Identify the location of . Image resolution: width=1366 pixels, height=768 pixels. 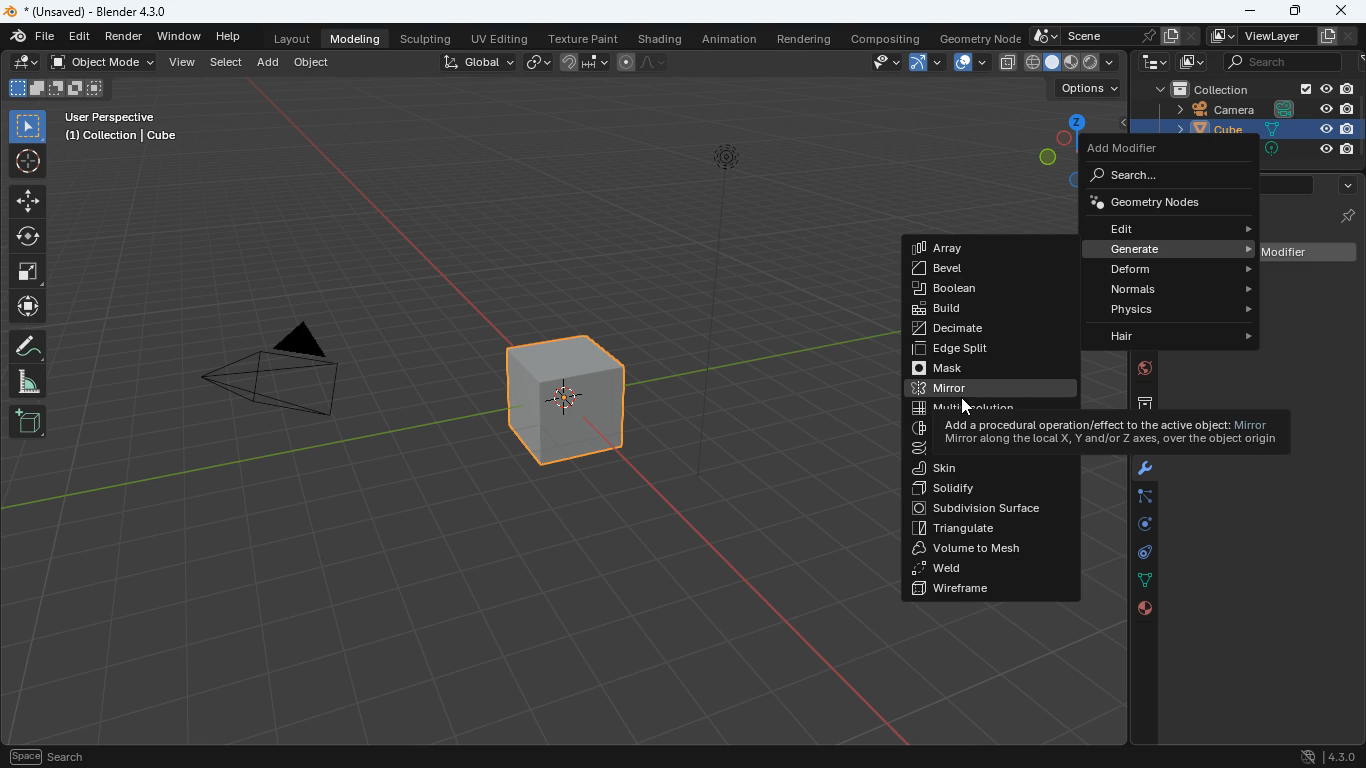
(1347, 89).